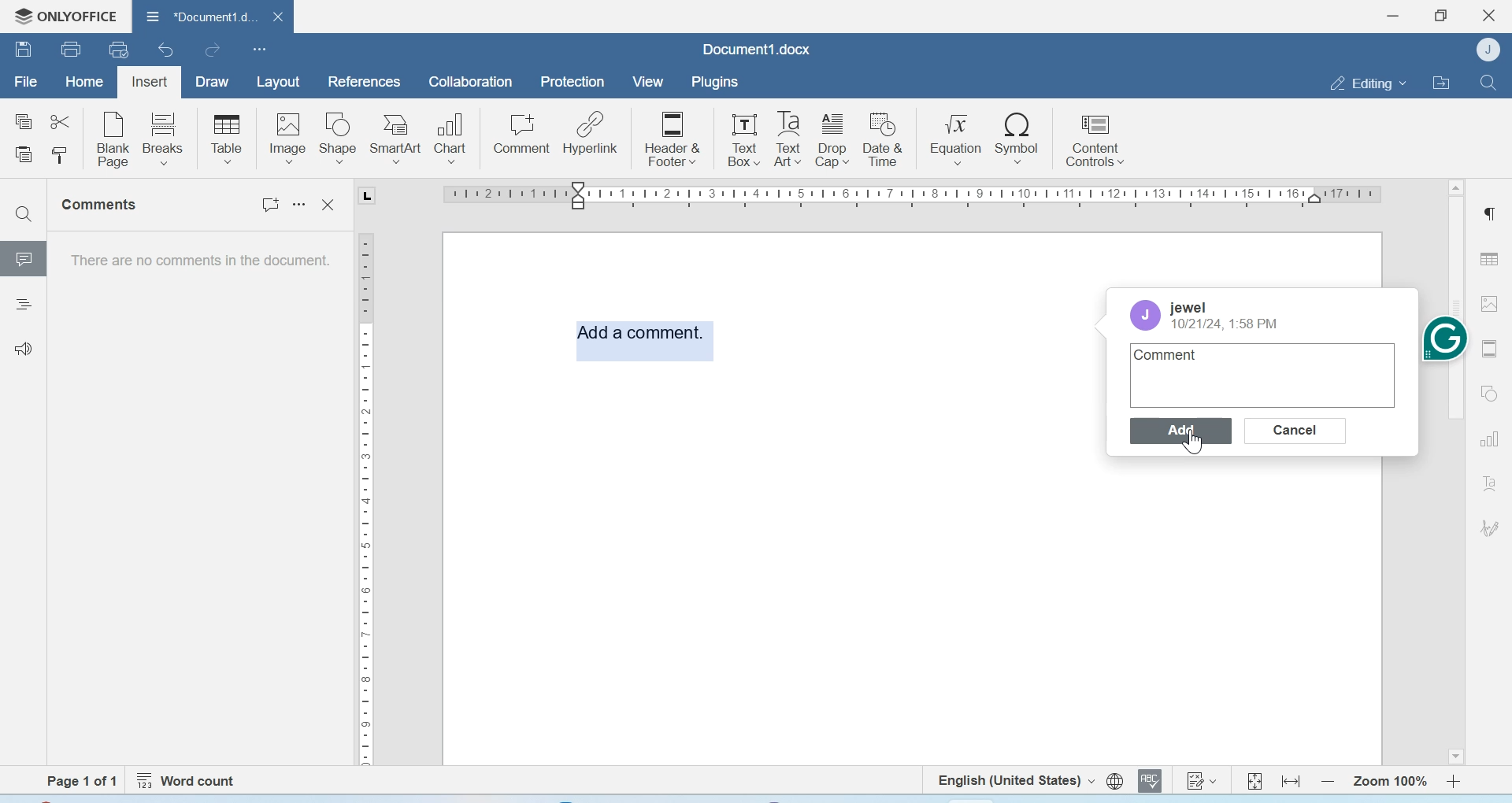 The image size is (1512, 803). I want to click on Paste, so click(25, 156).